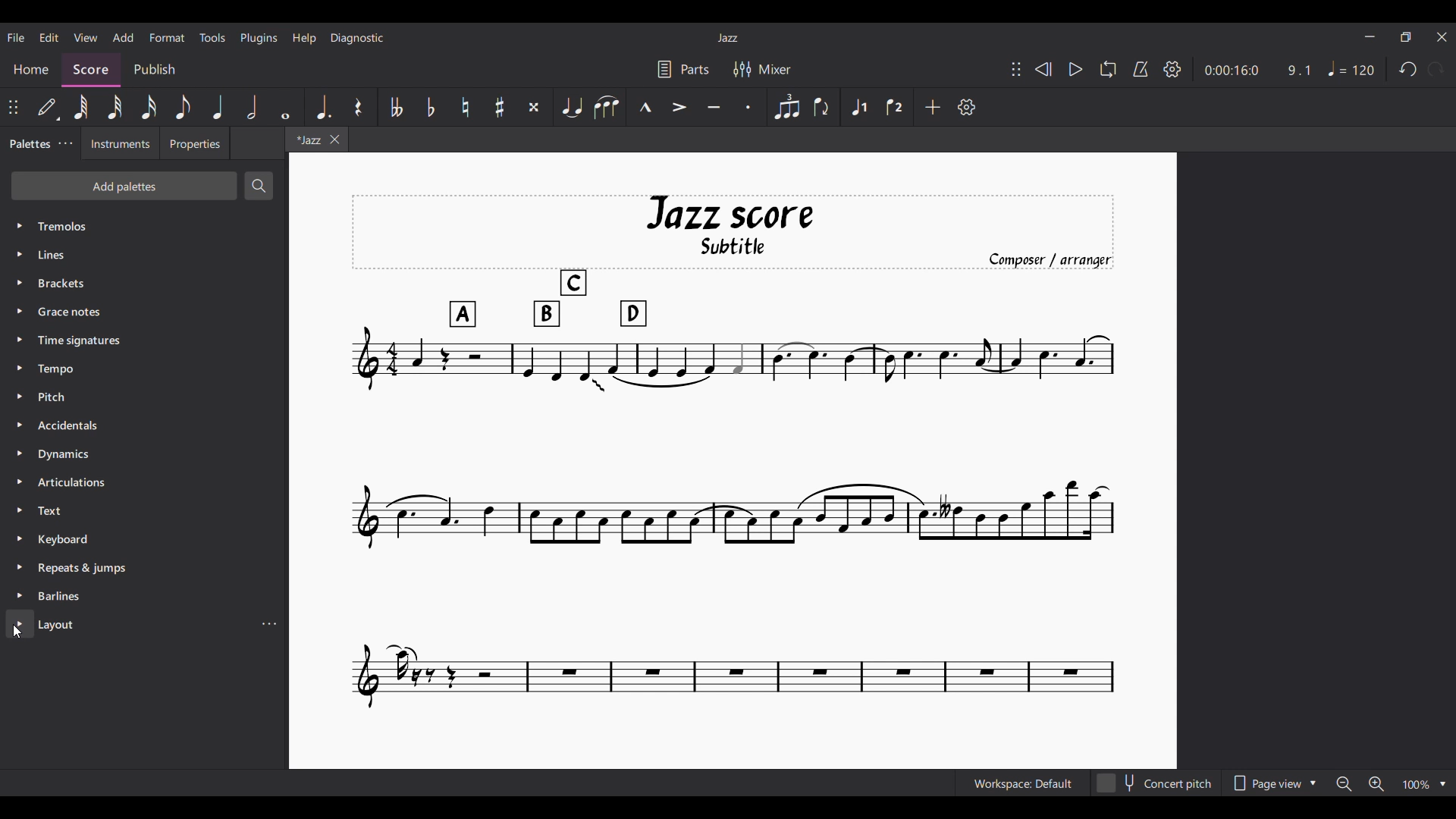  Describe the element at coordinates (29, 145) in the screenshot. I see `Palettes` at that location.